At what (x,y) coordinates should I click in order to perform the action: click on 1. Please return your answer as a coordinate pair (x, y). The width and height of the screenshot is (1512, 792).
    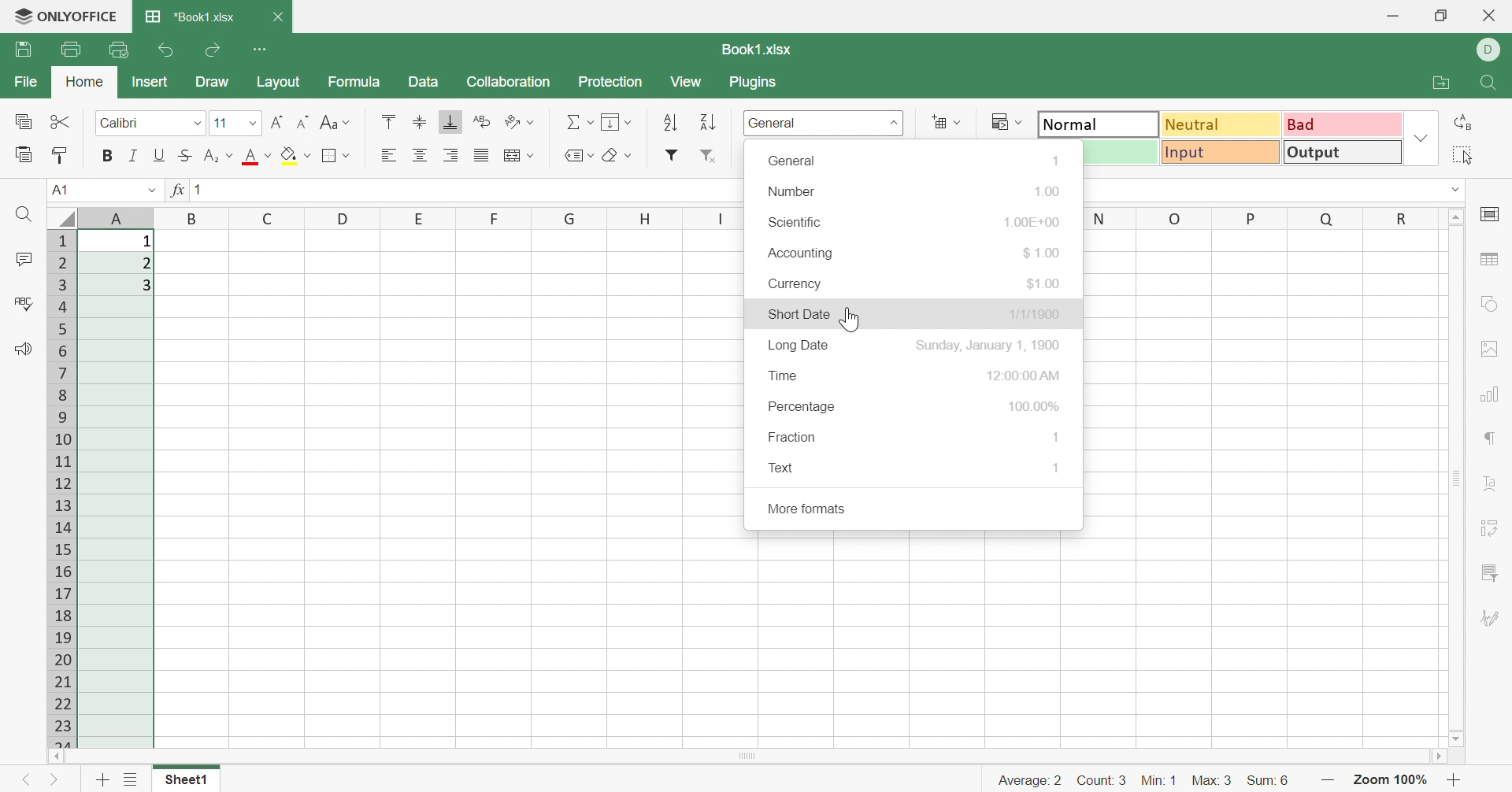
    Looking at the image, I should click on (1056, 466).